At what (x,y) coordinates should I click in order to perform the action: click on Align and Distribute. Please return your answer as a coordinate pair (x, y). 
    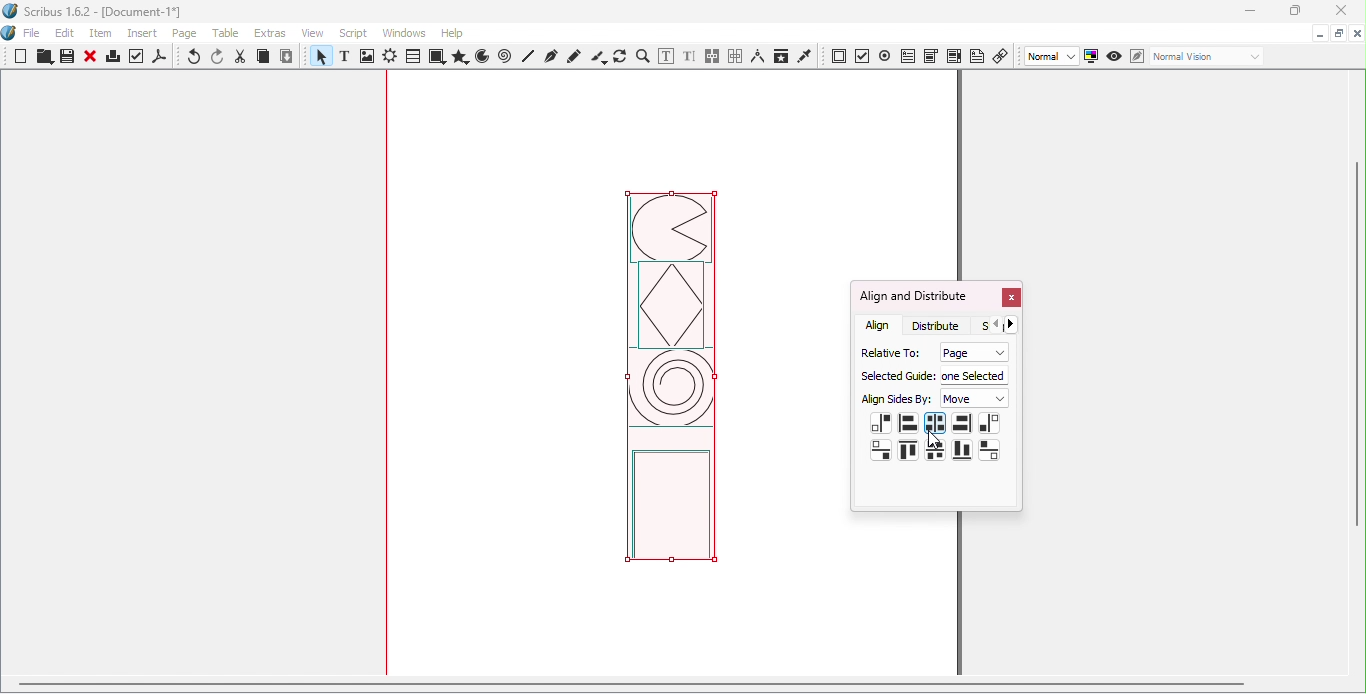
    Looking at the image, I should click on (913, 296).